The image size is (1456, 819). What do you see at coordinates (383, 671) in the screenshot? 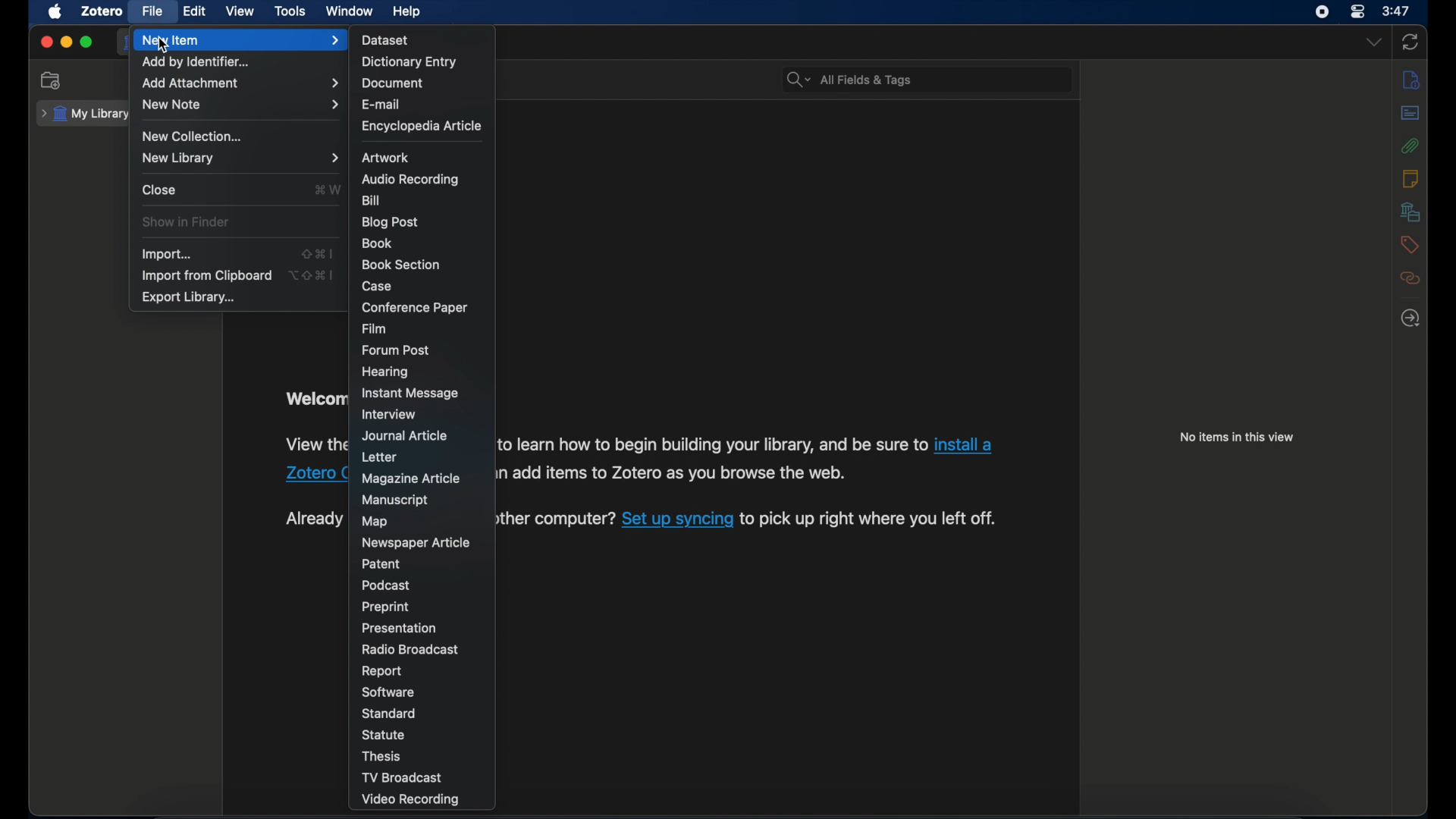
I see `report` at bounding box center [383, 671].